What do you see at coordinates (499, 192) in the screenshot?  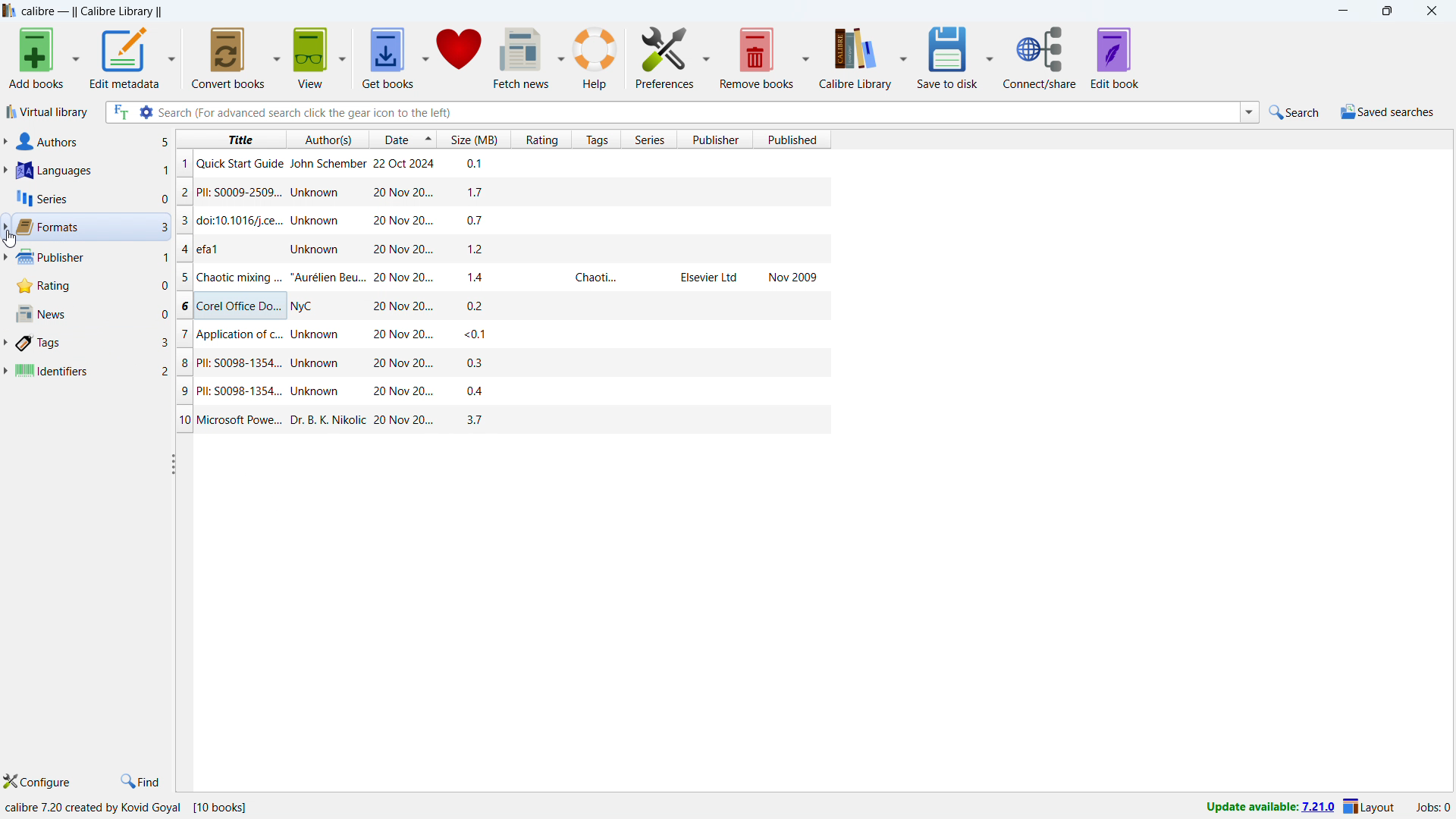 I see `one book entry` at bounding box center [499, 192].